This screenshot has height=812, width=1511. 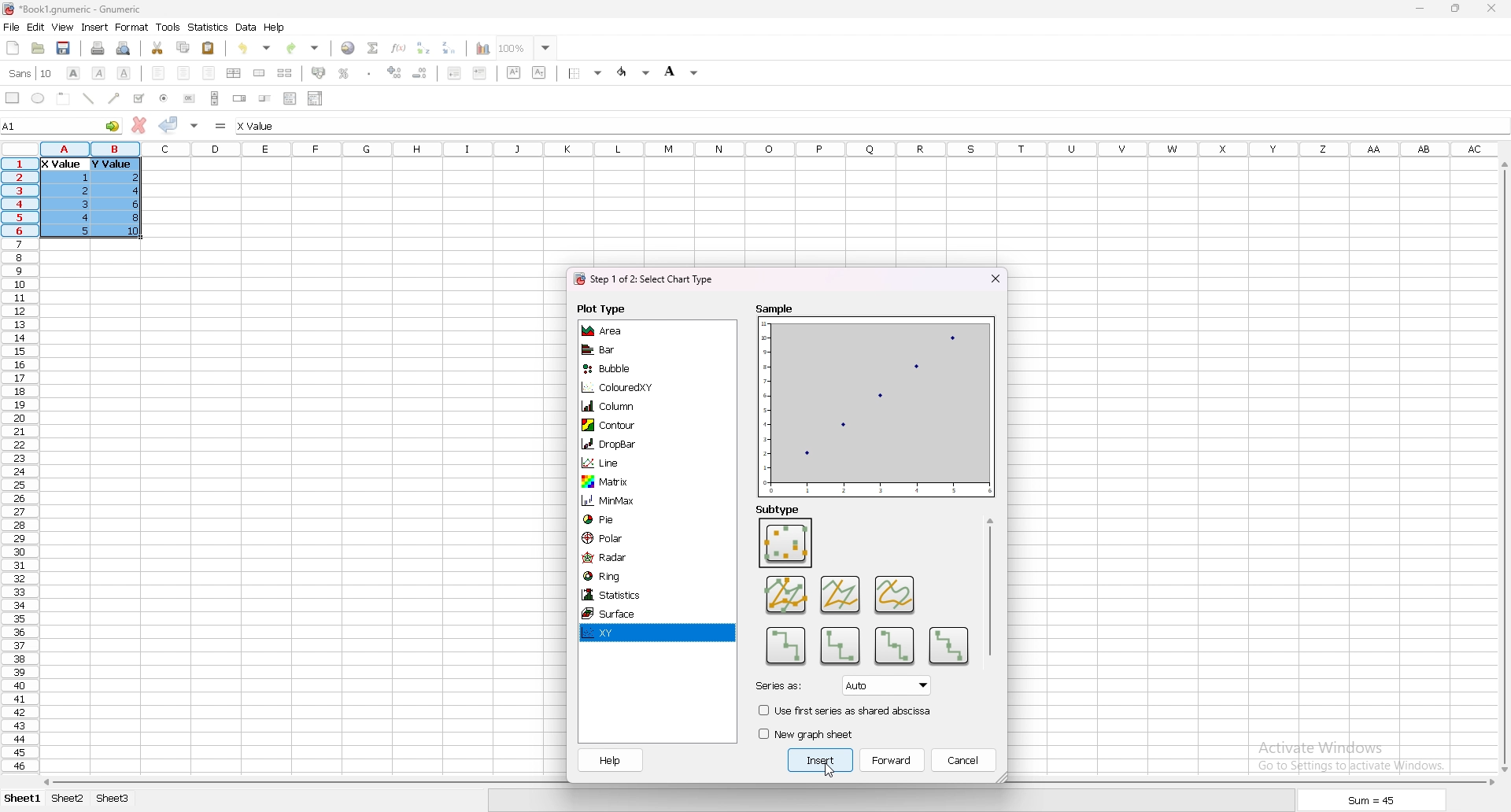 What do you see at coordinates (235, 72) in the screenshot?
I see `centre horizontally` at bounding box center [235, 72].